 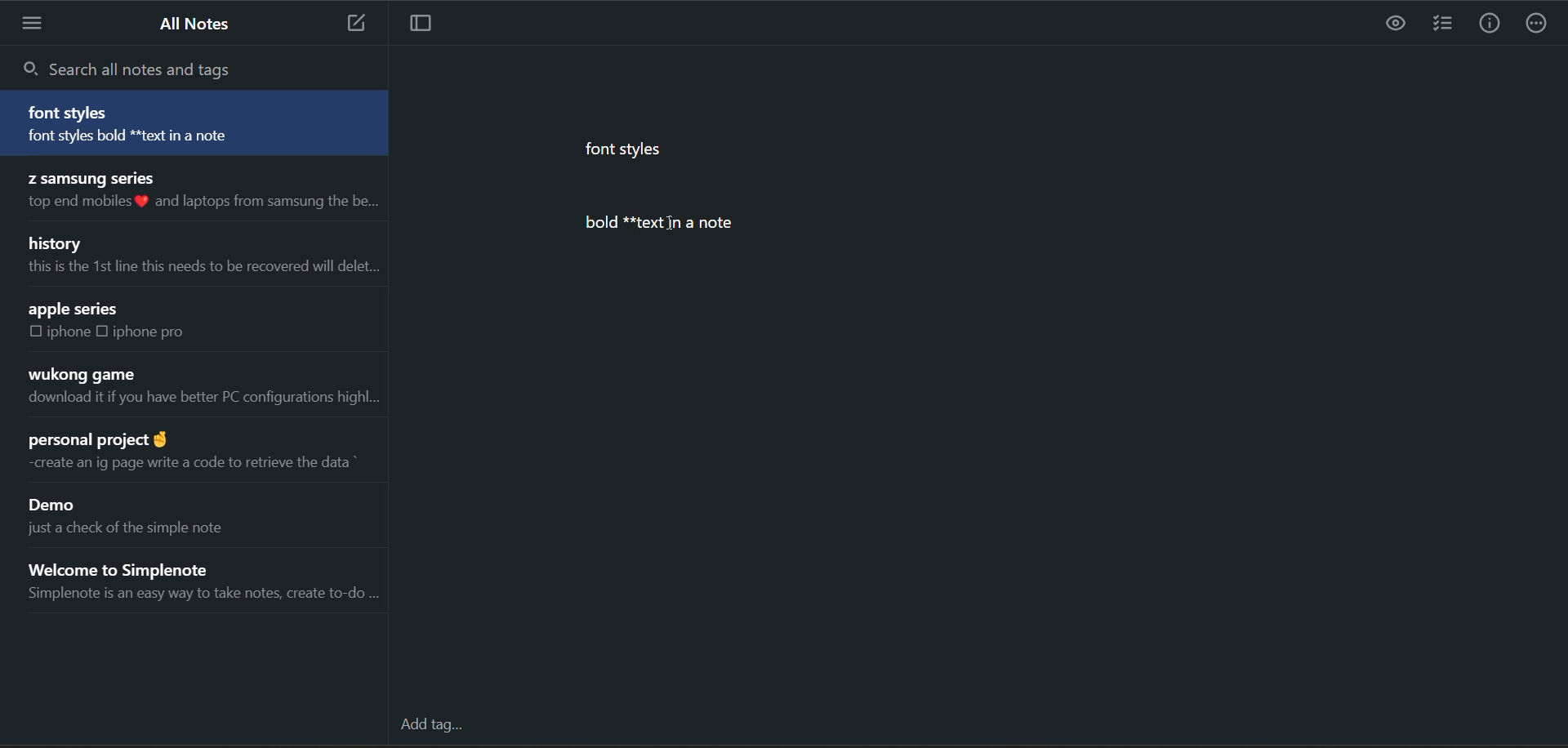 I want to click on info, so click(x=1489, y=25).